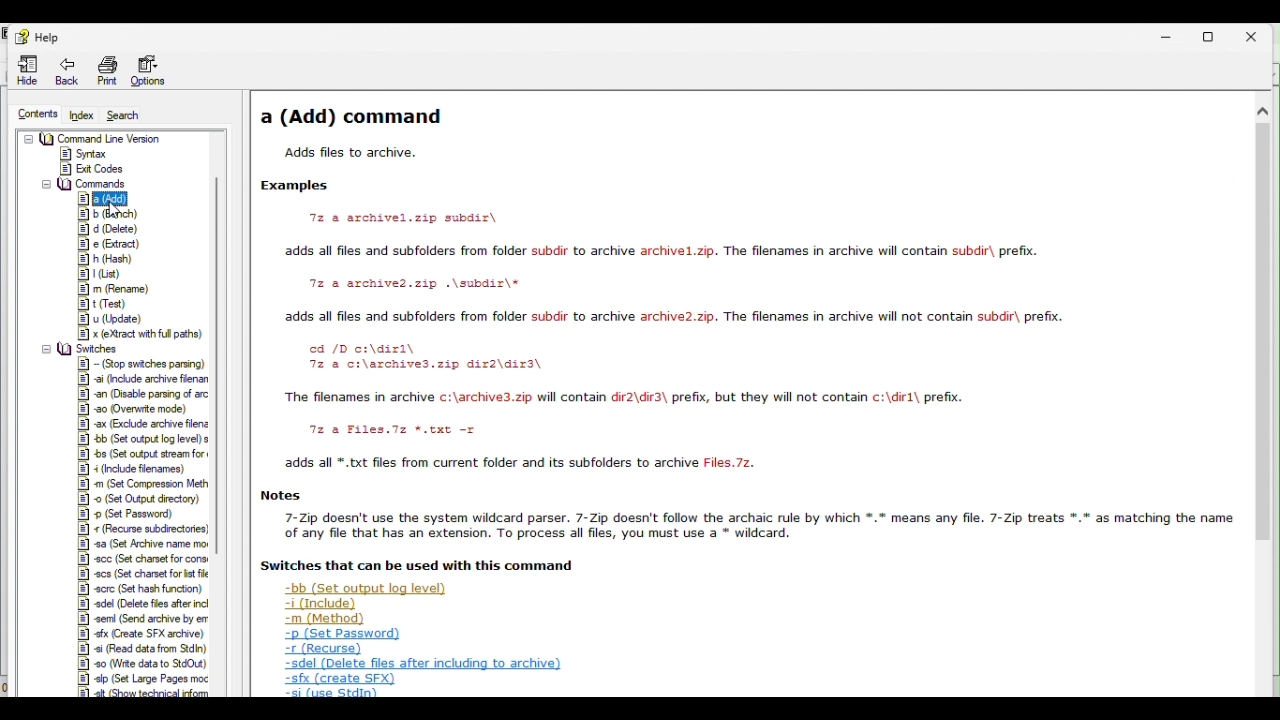 The height and width of the screenshot is (720, 1280). What do you see at coordinates (349, 153) in the screenshot?
I see `text` at bounding box center [349, 153].